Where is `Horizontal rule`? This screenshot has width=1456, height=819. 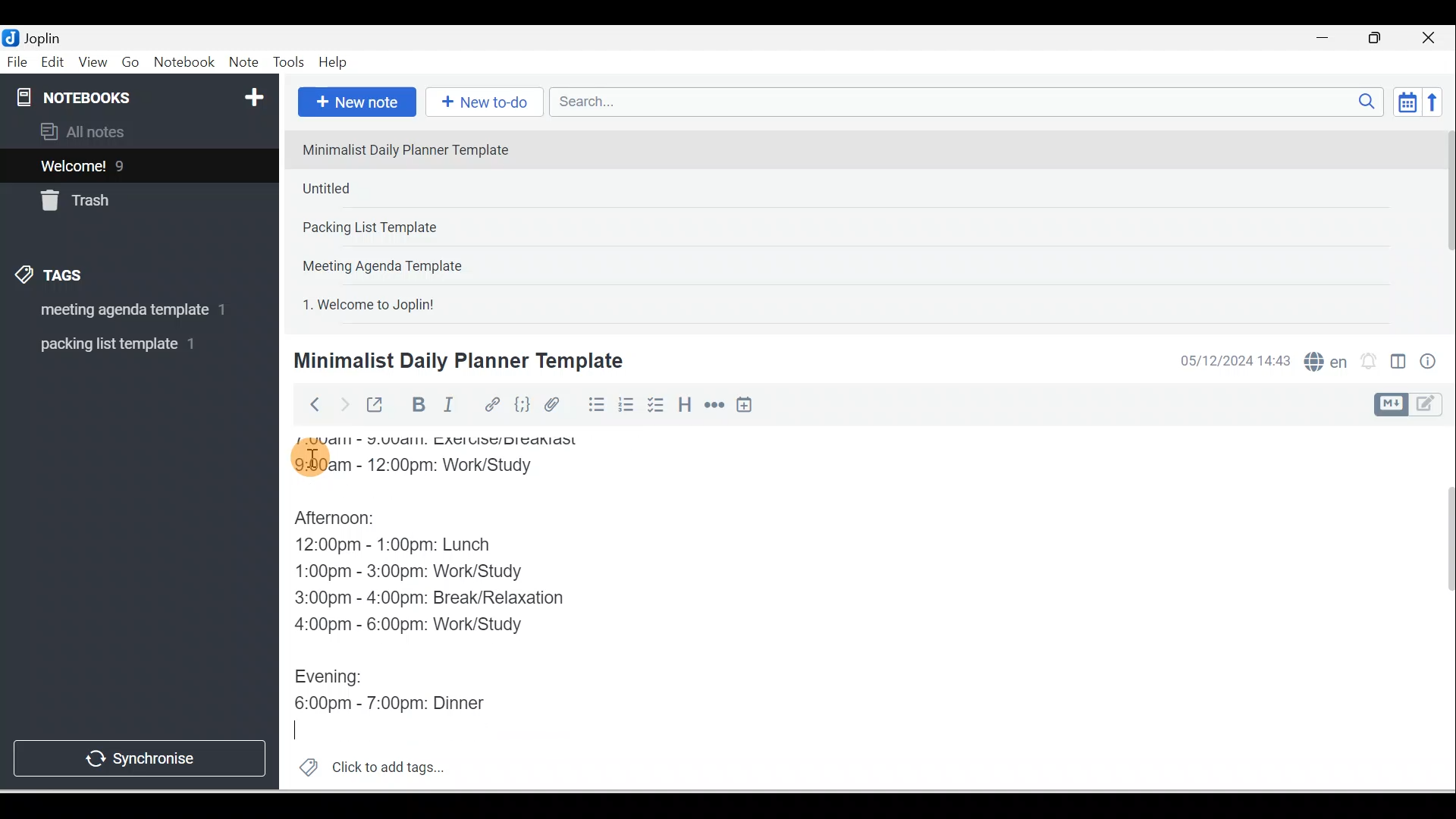 Horizontal rule is located at coordinates (716, 405).